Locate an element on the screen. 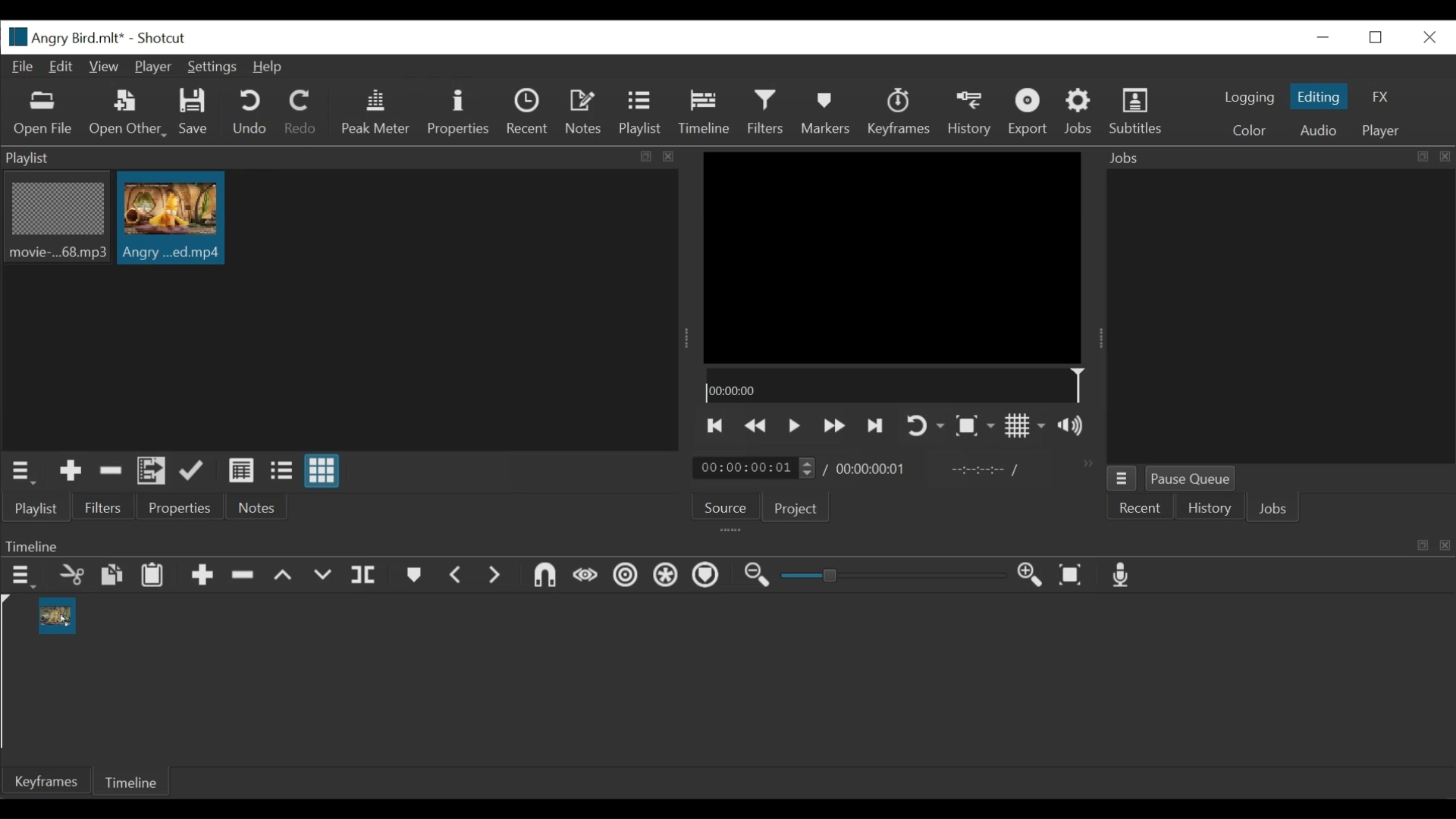 The width and height of the screenshot is (1456, 819). Filters is located at coordinates (105, 507).